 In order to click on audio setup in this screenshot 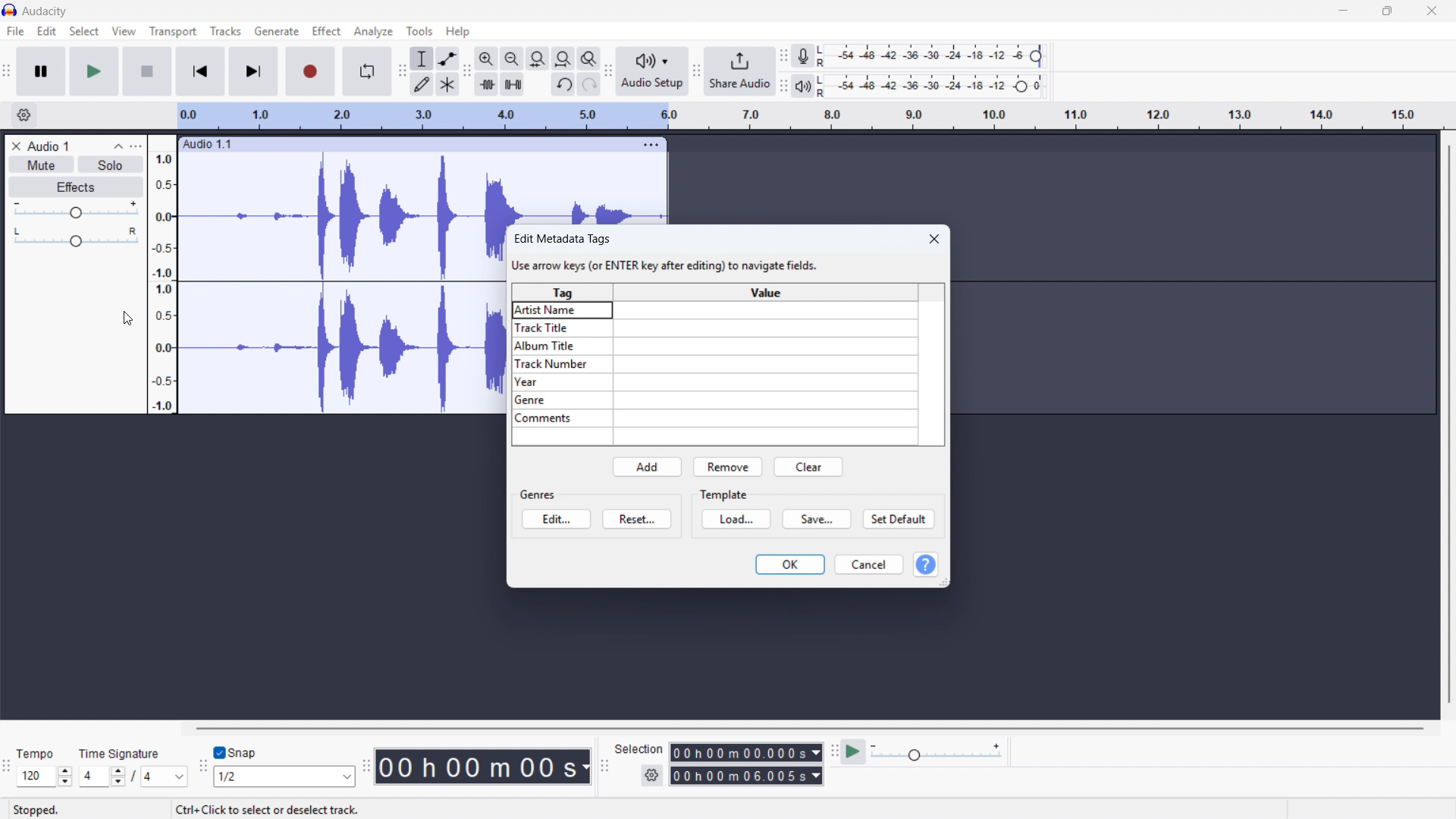, I will do `click(651, 71)`.